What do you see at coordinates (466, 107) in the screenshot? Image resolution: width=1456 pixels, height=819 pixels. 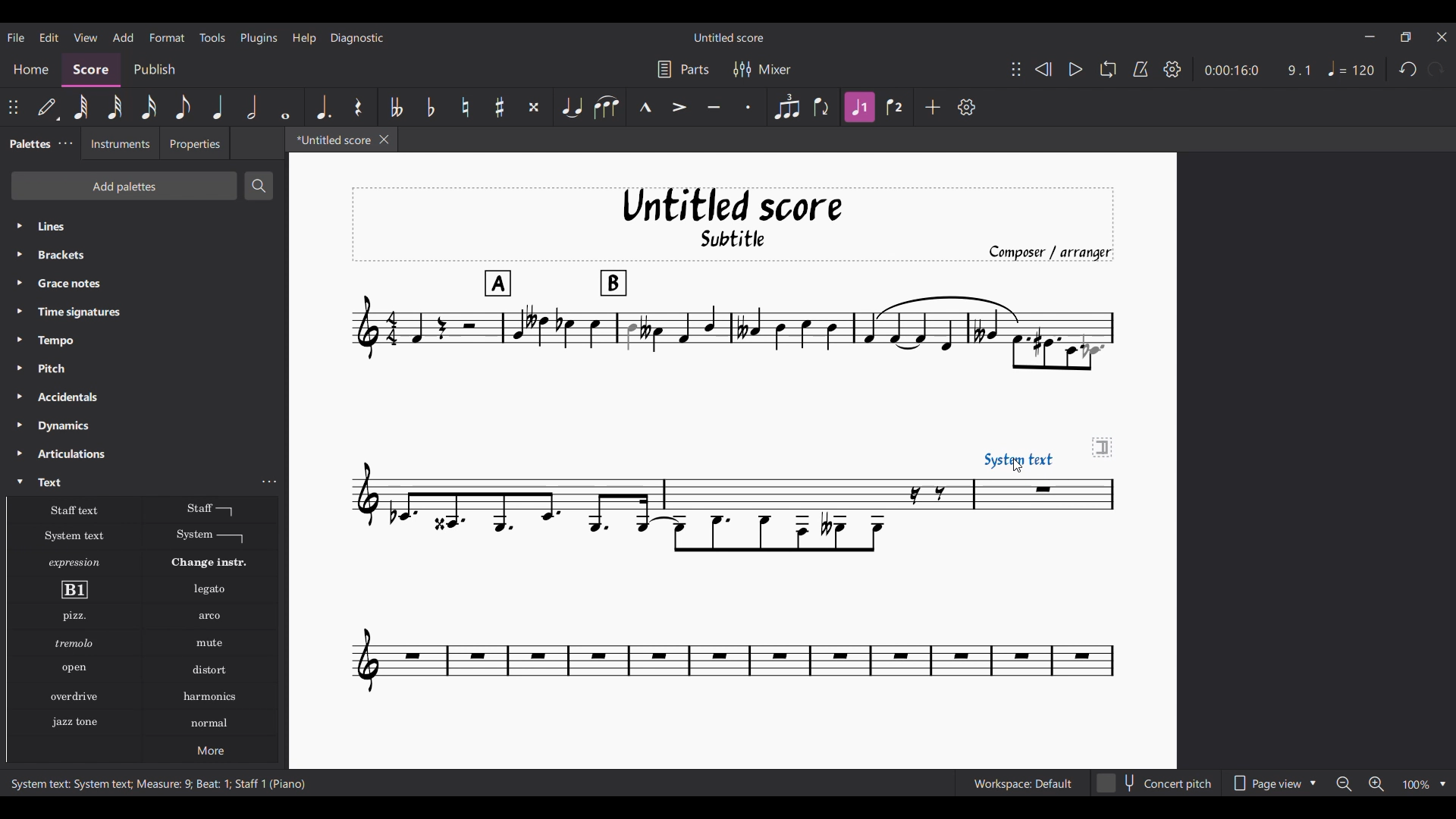 I see `Toggle natural` at bounding box center [466, 107].